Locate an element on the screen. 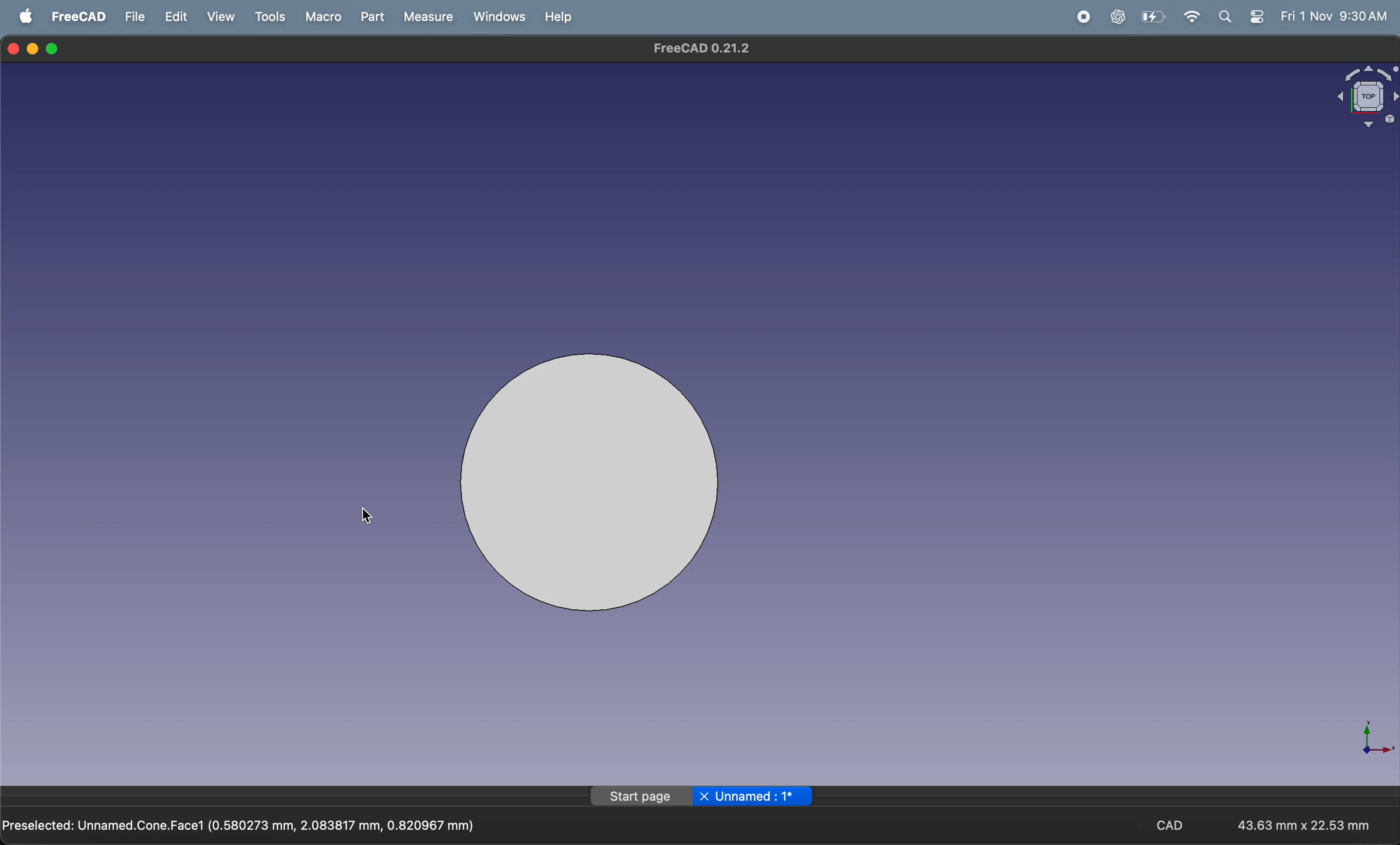  apple widget is located at coordinates (1259, 16).